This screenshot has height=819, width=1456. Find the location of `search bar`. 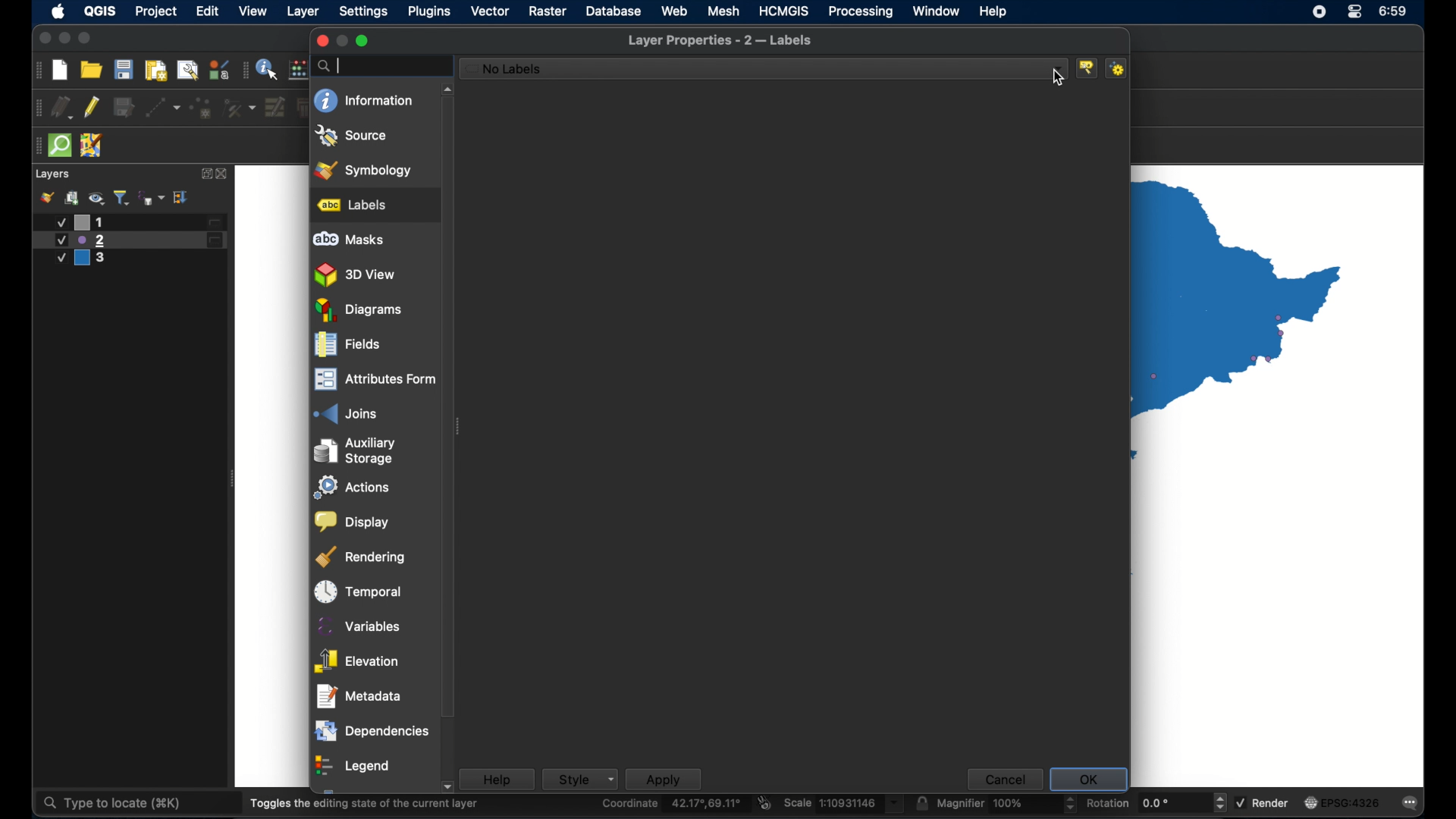

search bar is located at coordinates (381, 66).